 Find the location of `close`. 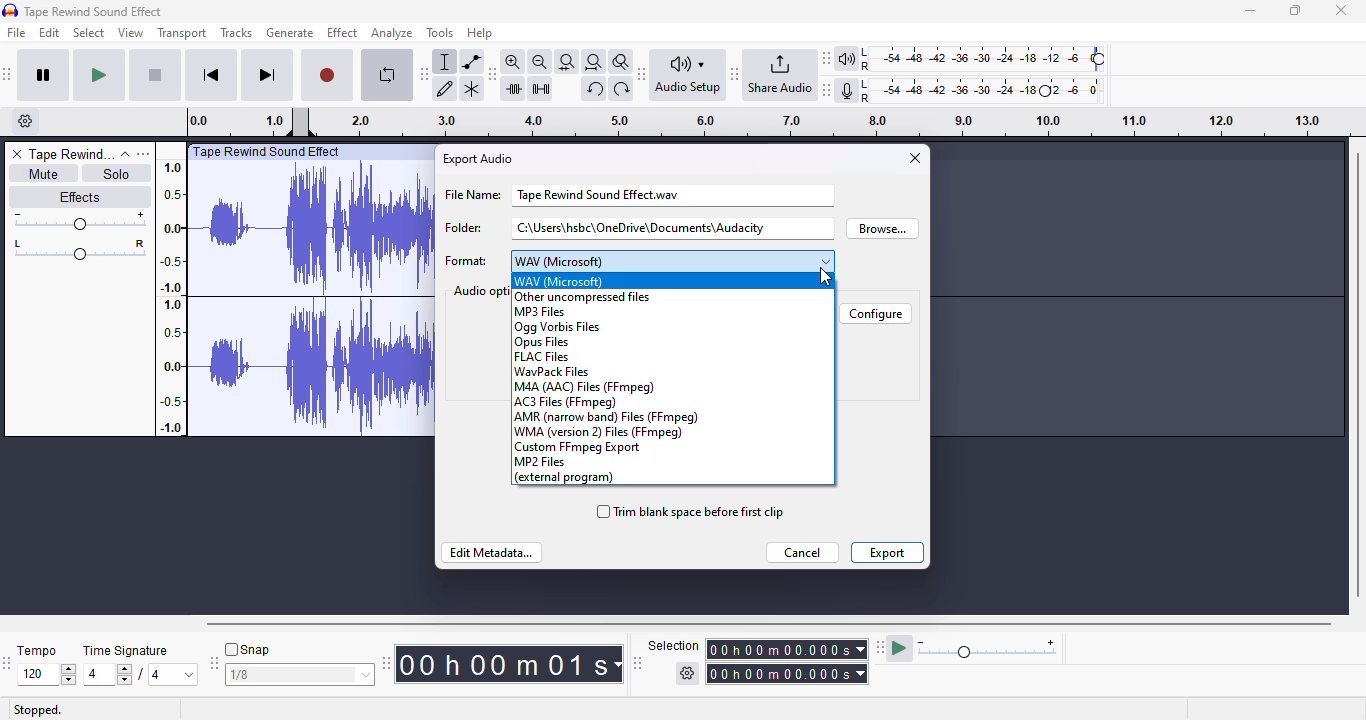

close is located at coordinates (916, 158).